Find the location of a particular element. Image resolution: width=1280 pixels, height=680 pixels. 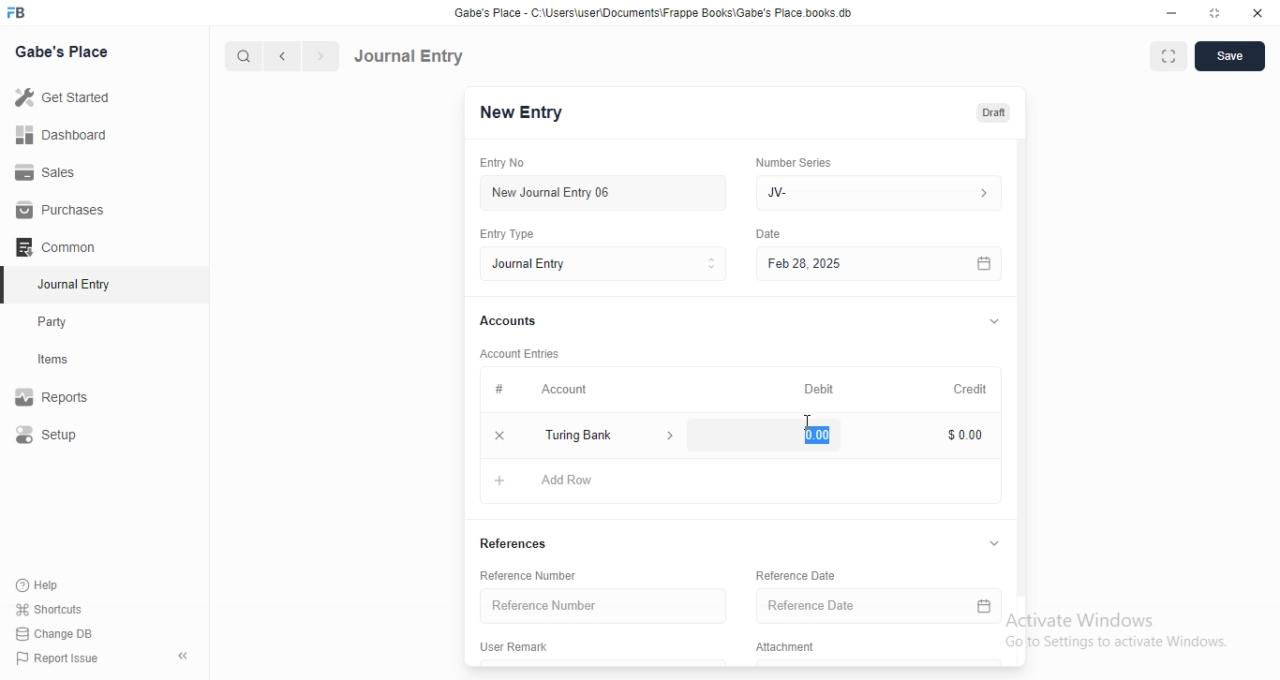

items is located at coordinates (66, 361).